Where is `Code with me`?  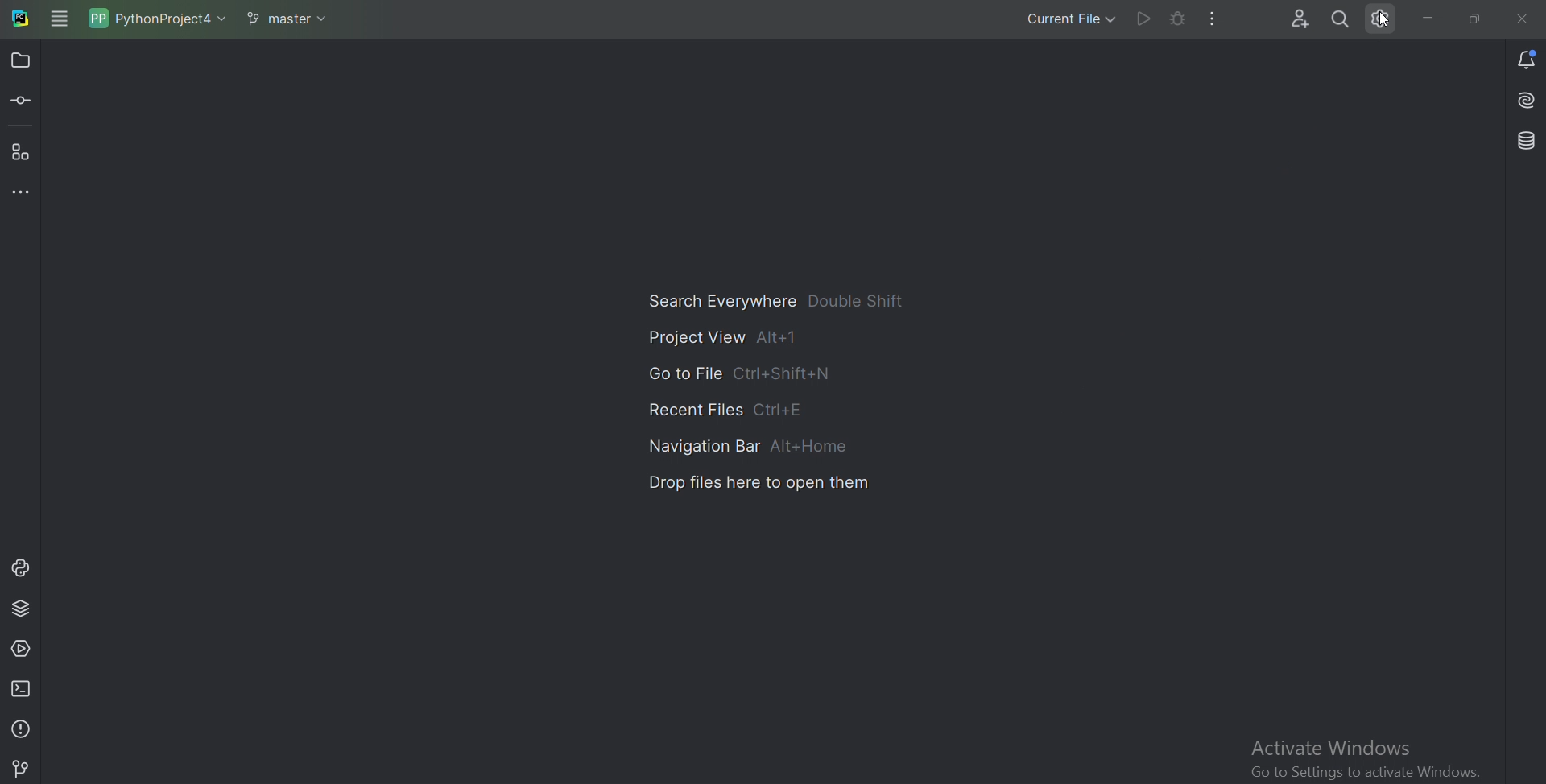
Code with me is located at coordinates (1292, 21).